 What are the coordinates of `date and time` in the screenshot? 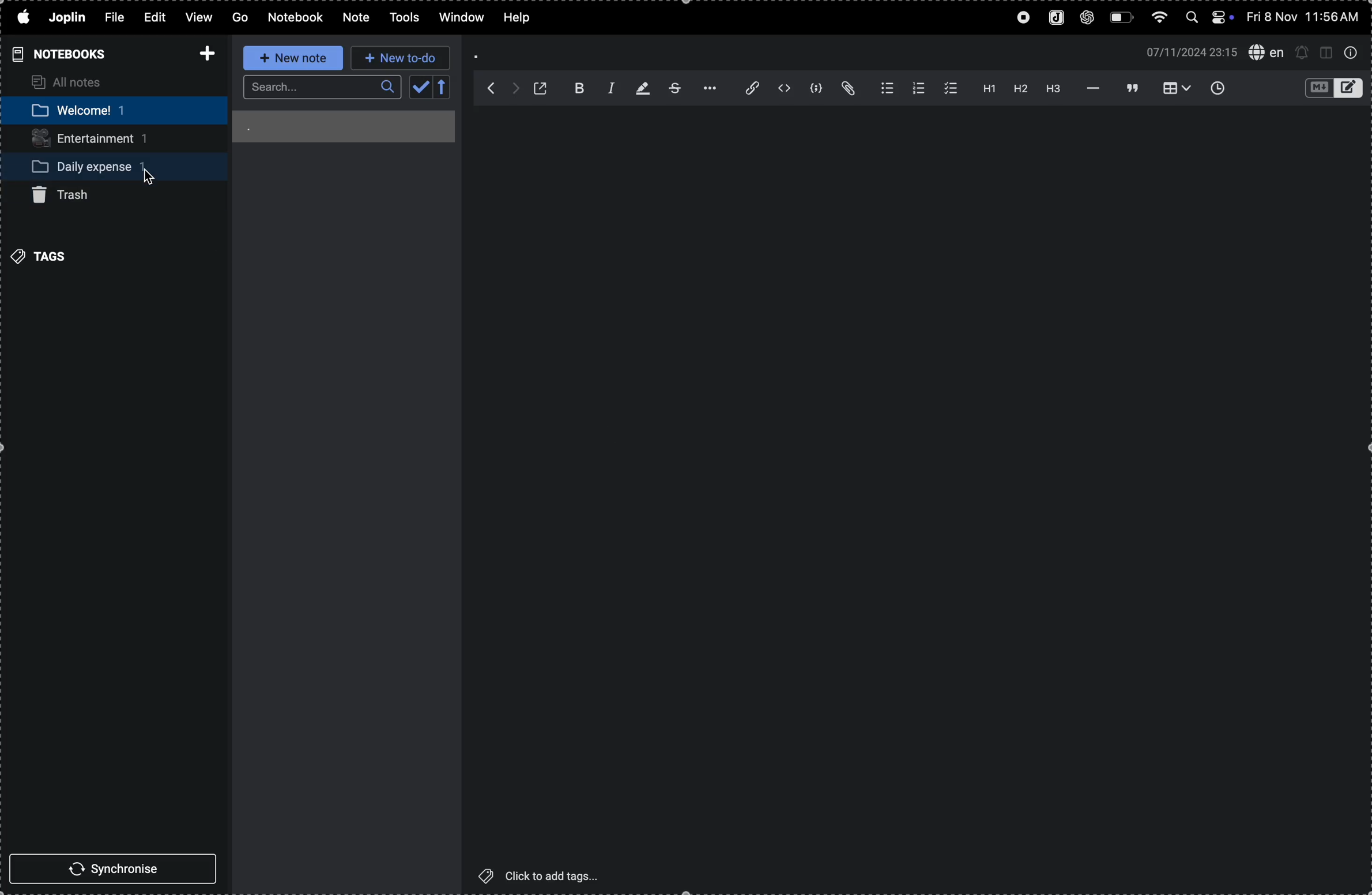 It's located at (1187, 51).